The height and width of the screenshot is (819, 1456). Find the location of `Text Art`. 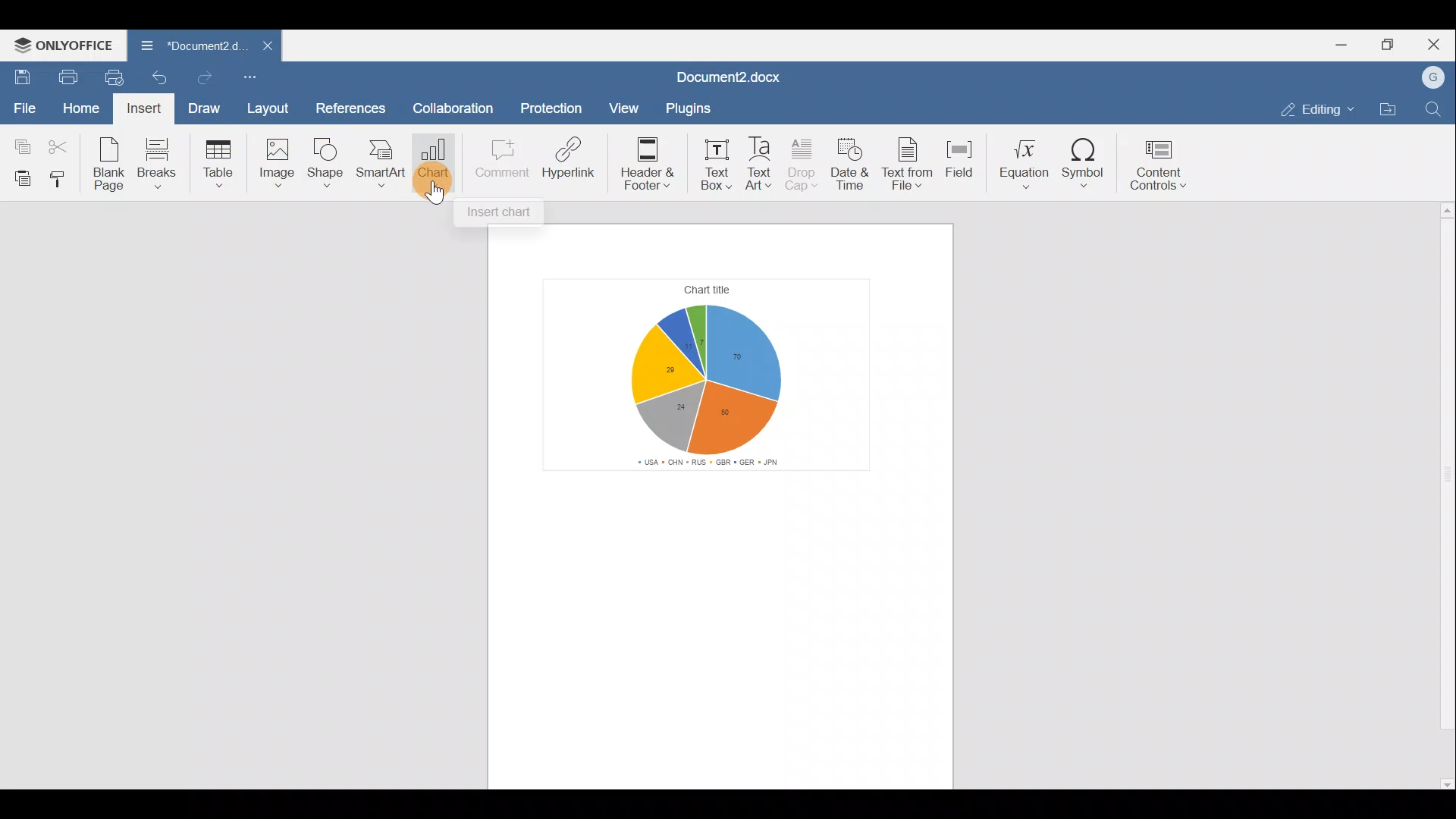

Text Art is located at coordinates (761, 162).